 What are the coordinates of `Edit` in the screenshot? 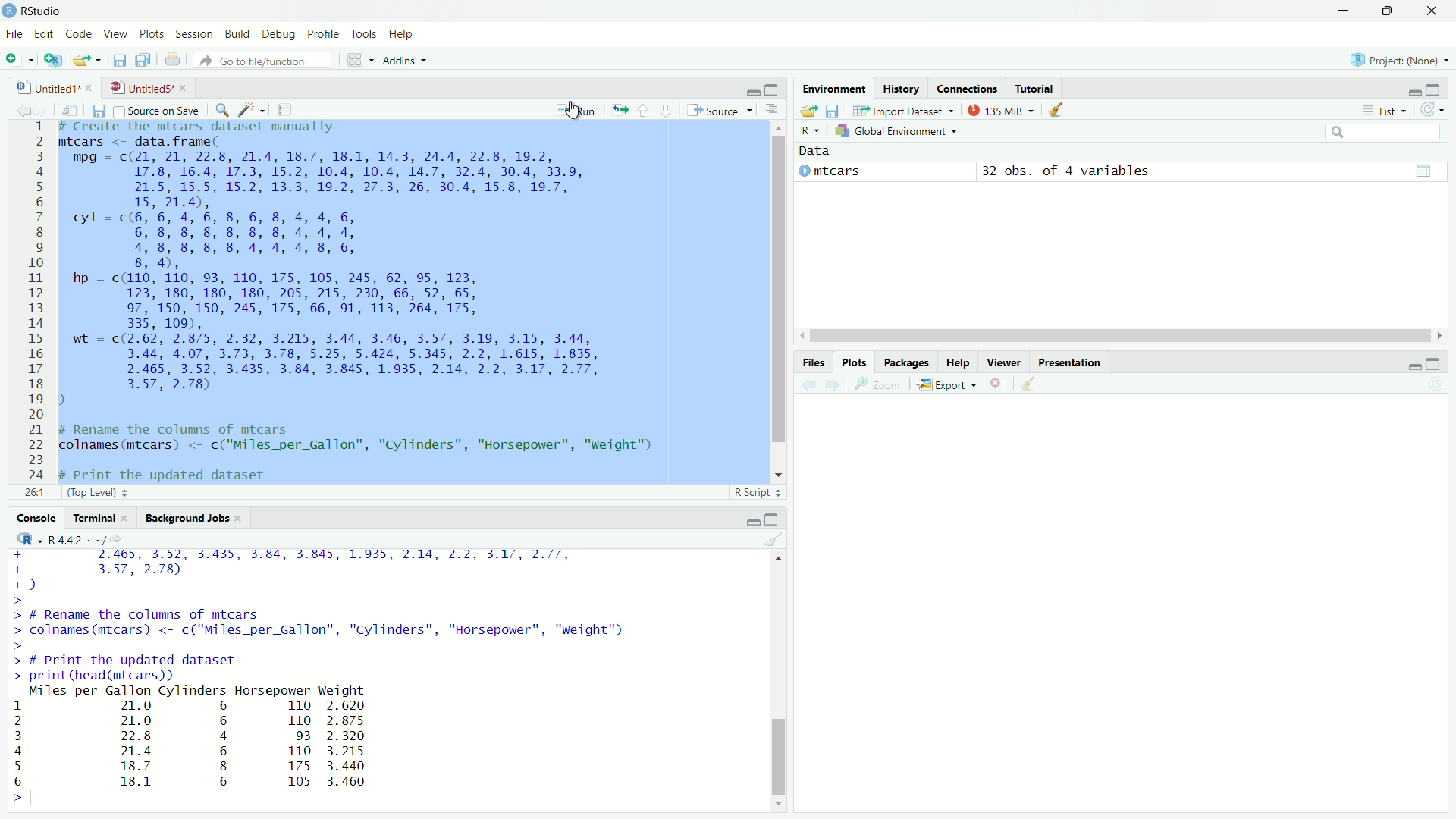 It's located at (43, 34).